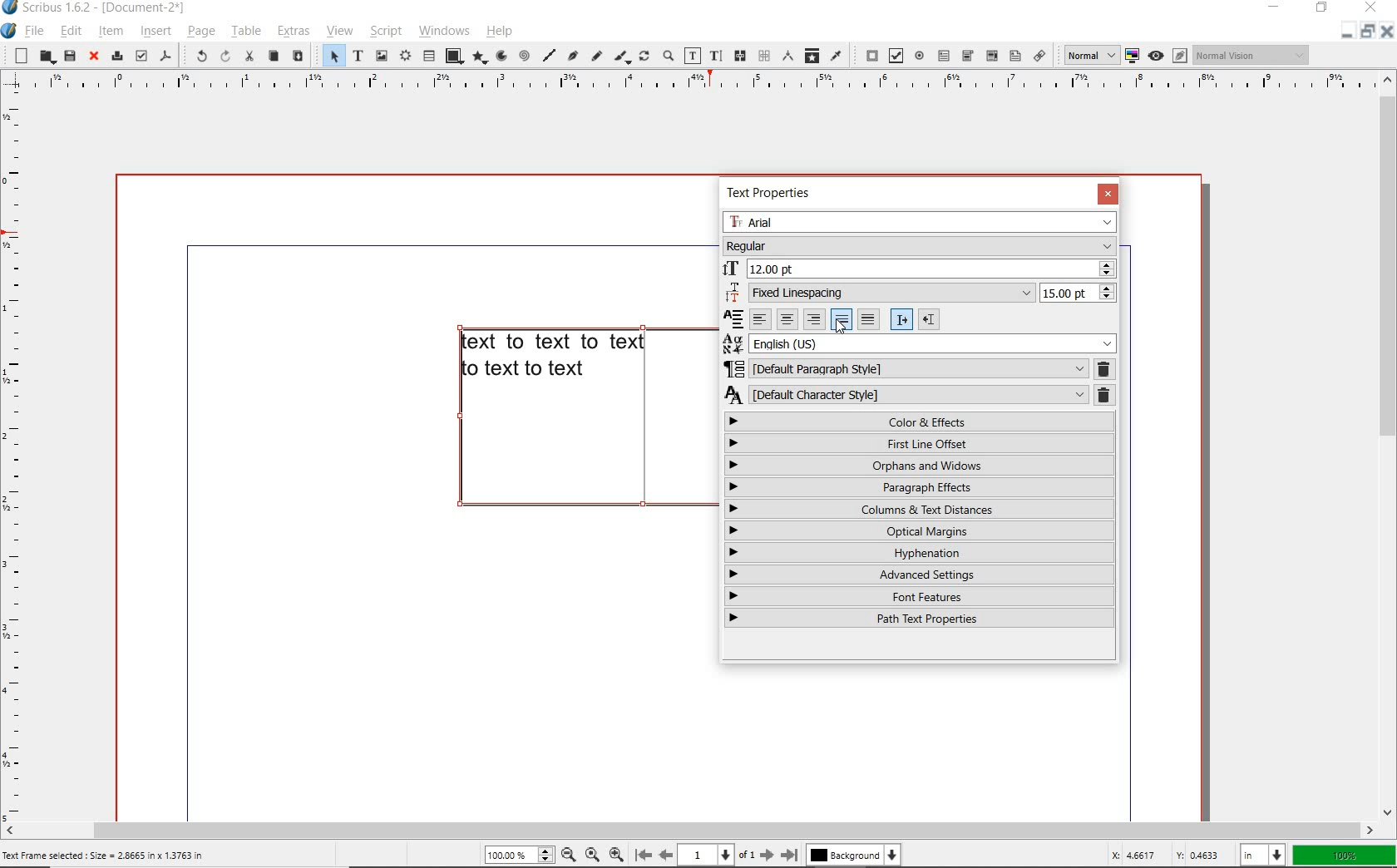 This screenshot has width=1397, height=868. I want to click on background , so click(852, 855).